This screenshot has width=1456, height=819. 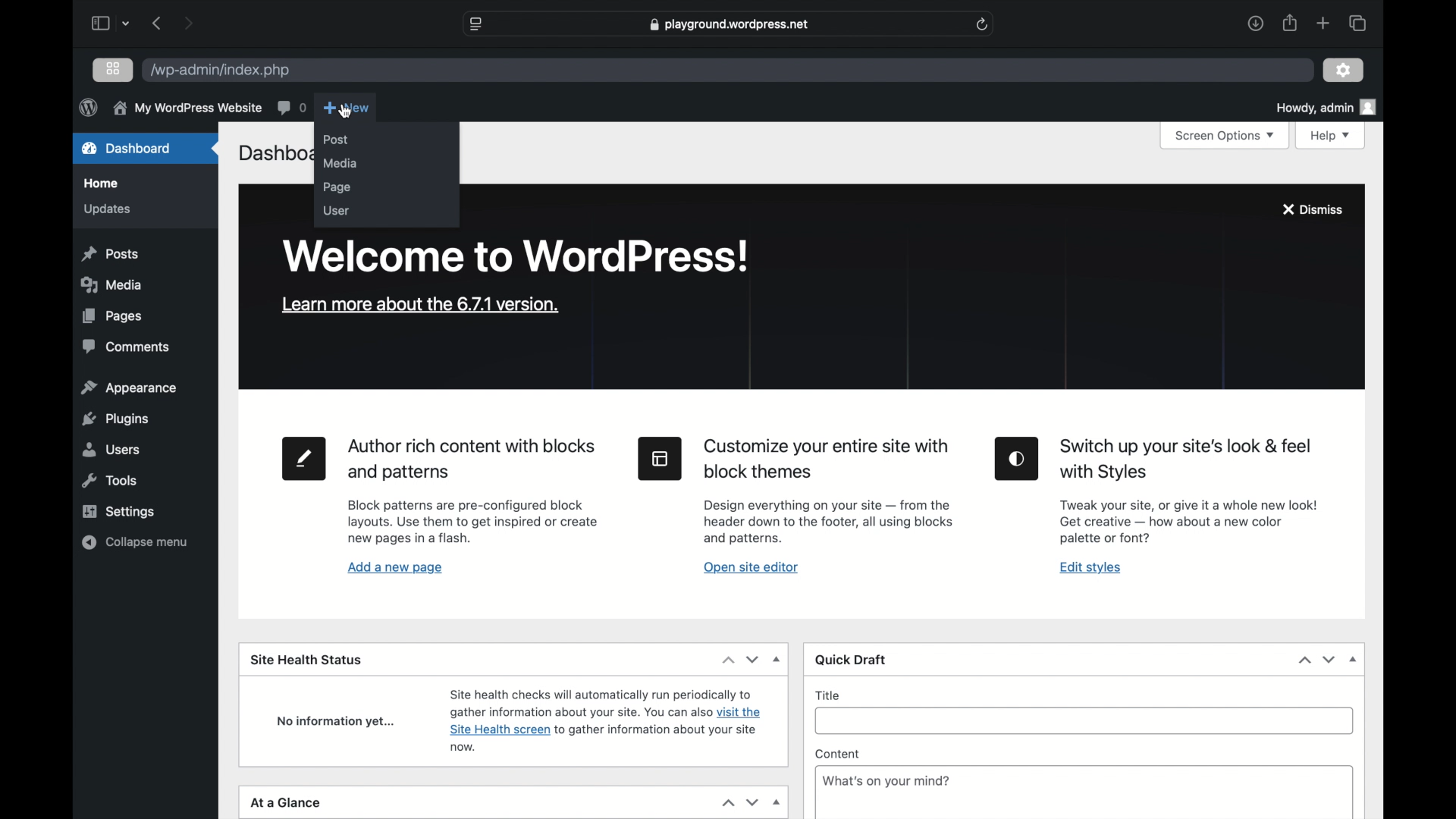 What do you see at coordinates (731, 24) in the screenshot?
I see `web address` at bounding box center [731, 24].